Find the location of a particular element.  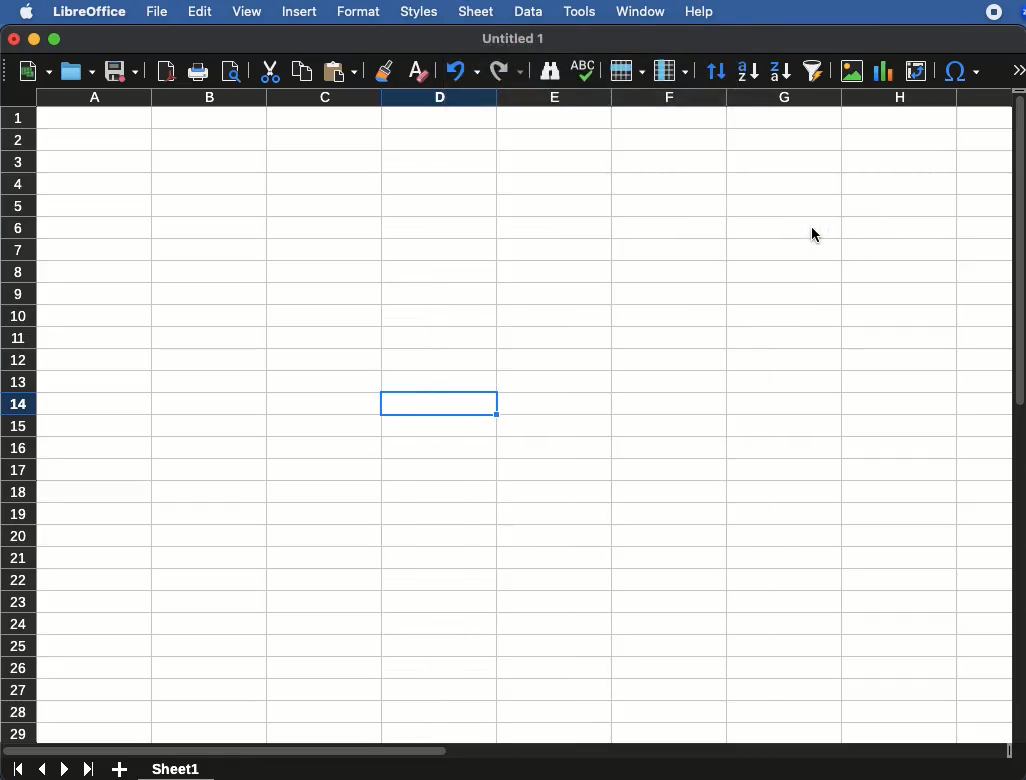

close is located at coordinates (13, 39).